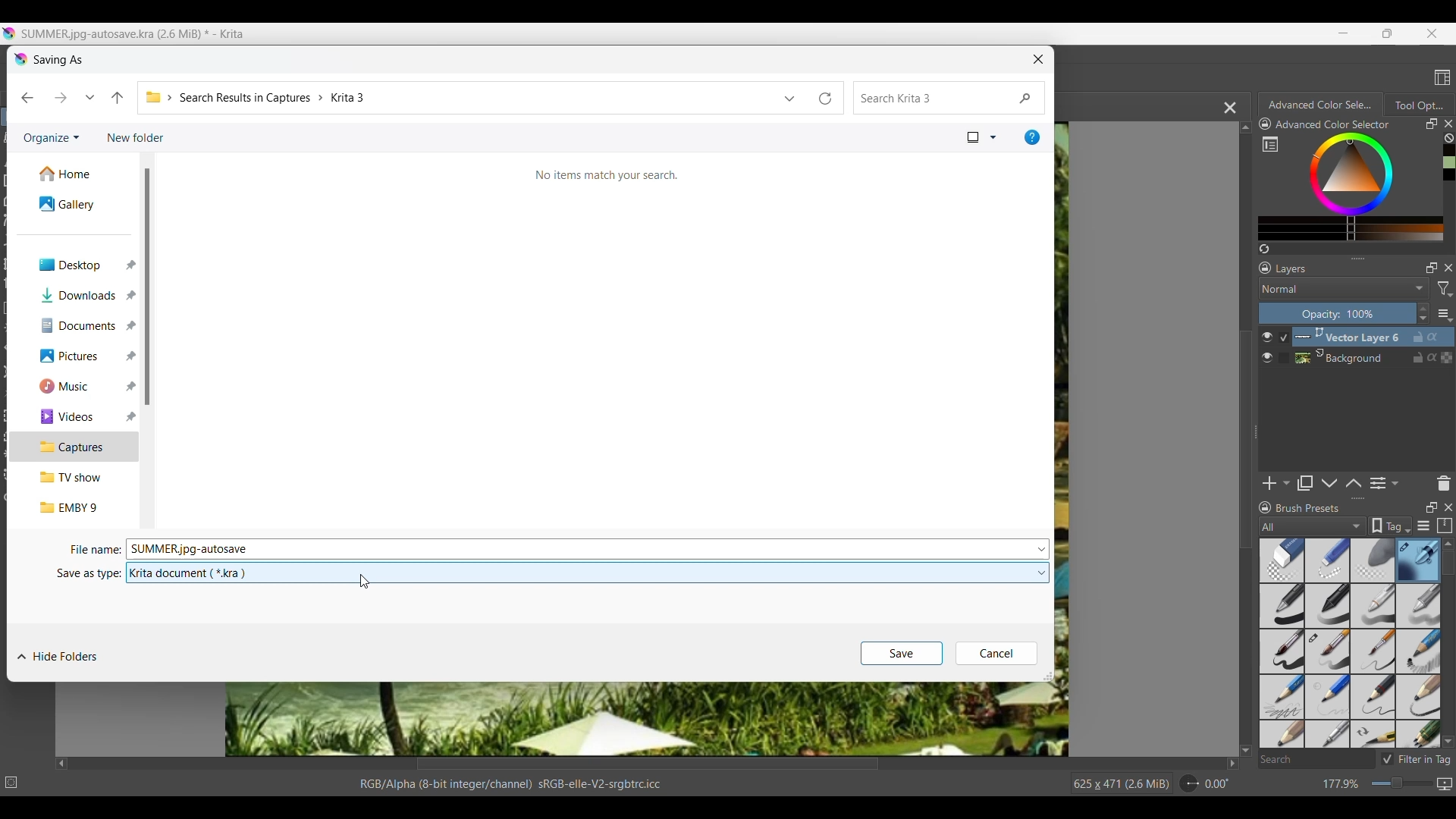 The image size is (1456, 819). Describe the element at coordinates (1448, 124) in the screenshot. I see `Close tab` at that location.